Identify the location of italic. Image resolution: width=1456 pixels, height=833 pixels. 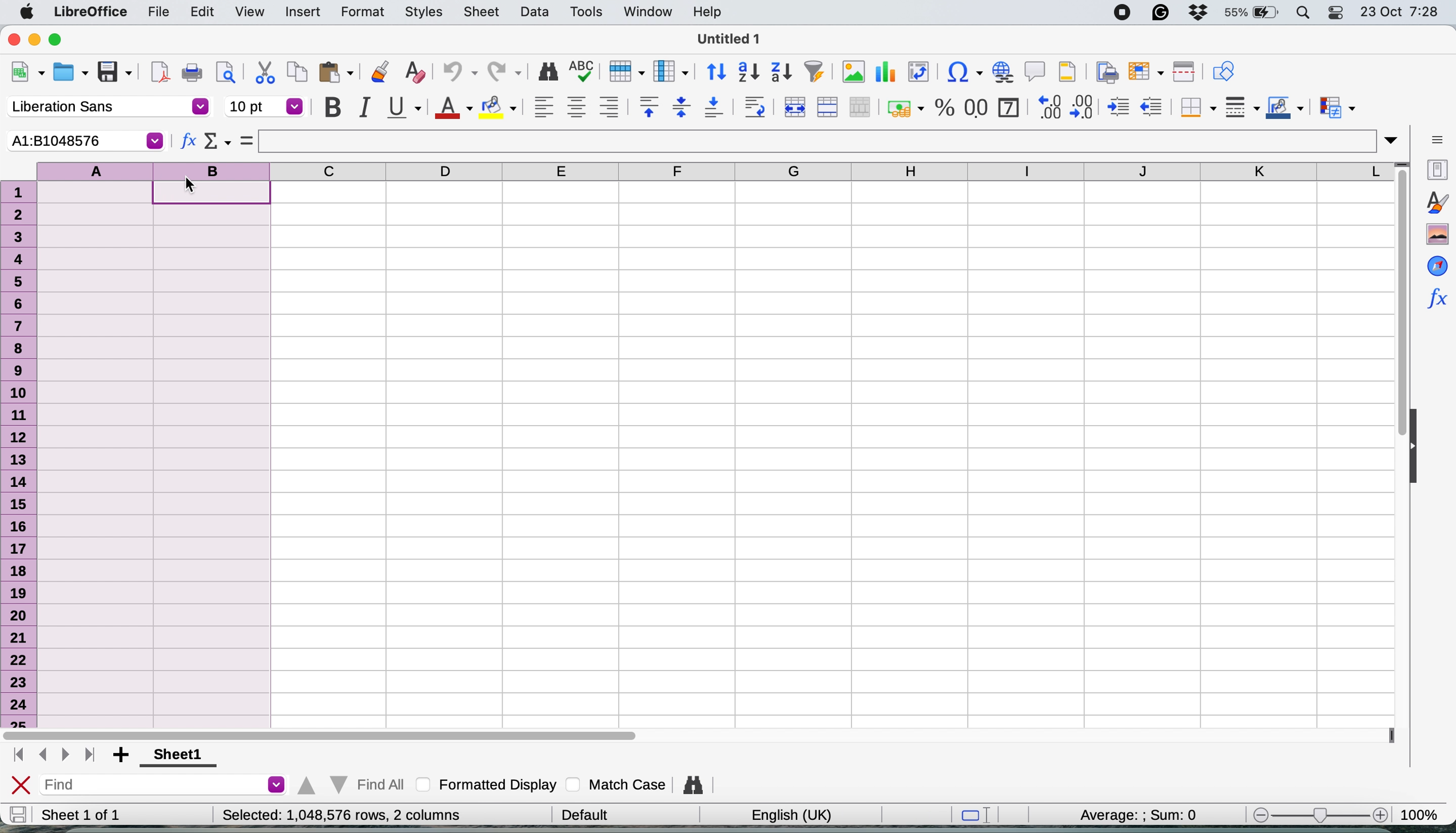
(367, 108).